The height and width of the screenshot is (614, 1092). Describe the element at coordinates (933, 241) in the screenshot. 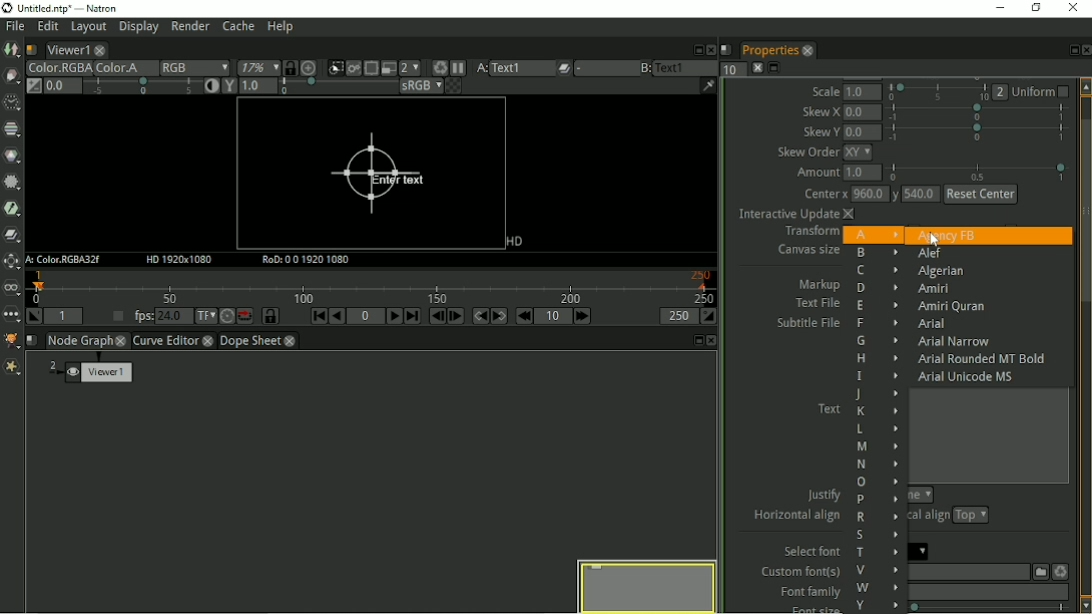

I see `Cursor` at that location.